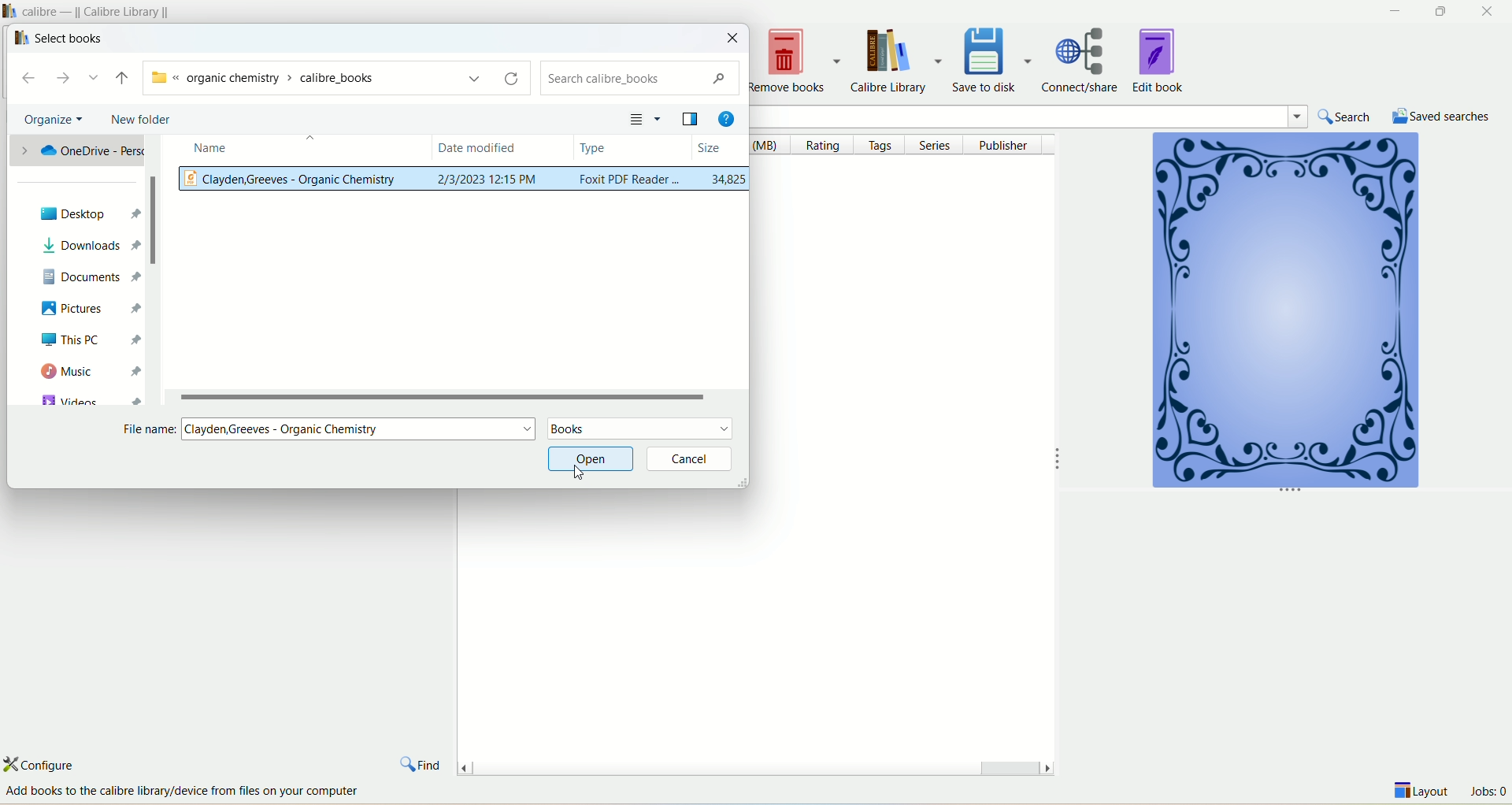 Image resolution: width=1512 pixels, height=805 pixels. I want to click on file name, so click(360, 429).